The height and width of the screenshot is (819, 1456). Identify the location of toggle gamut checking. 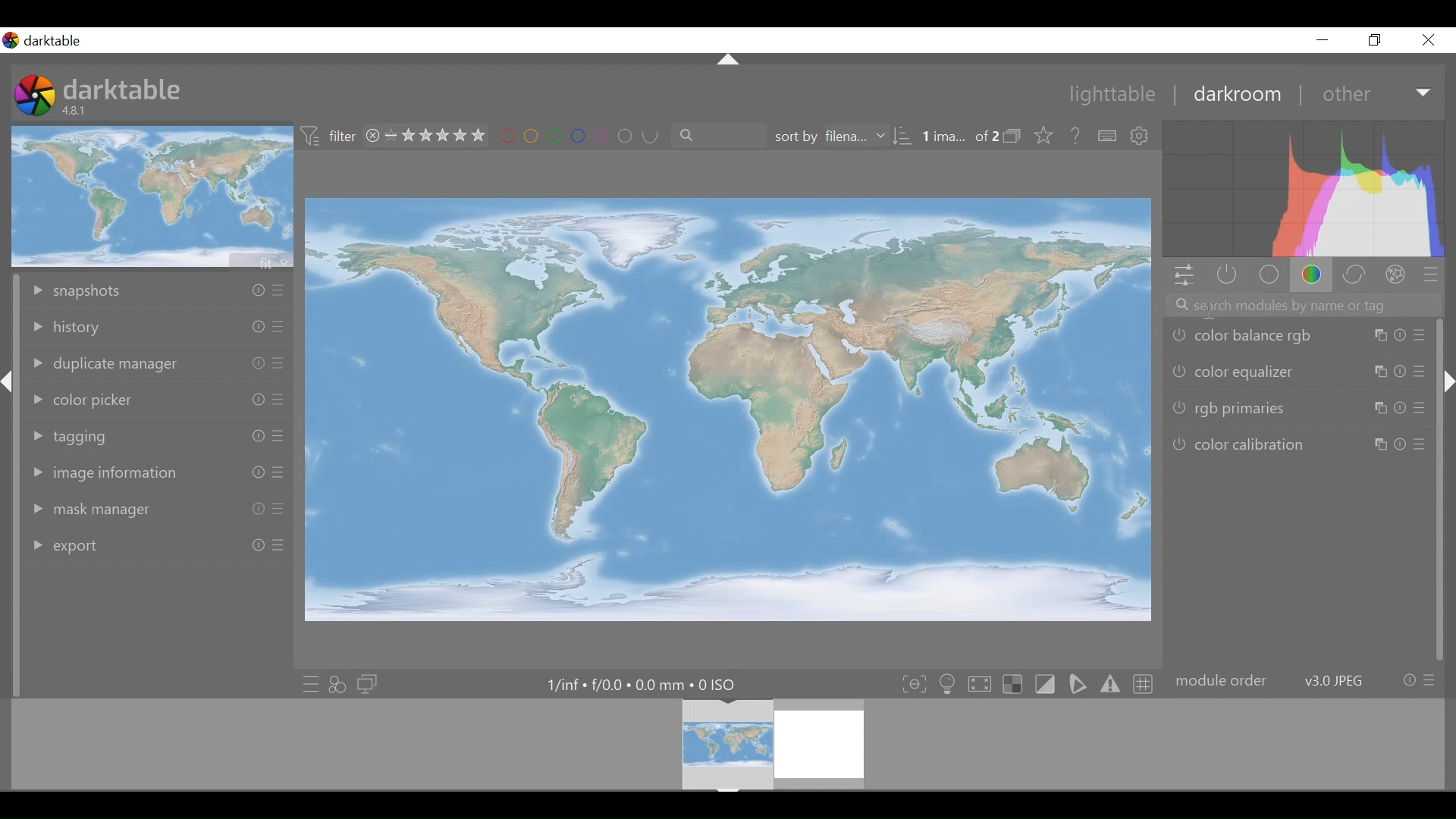
(1109, 686).